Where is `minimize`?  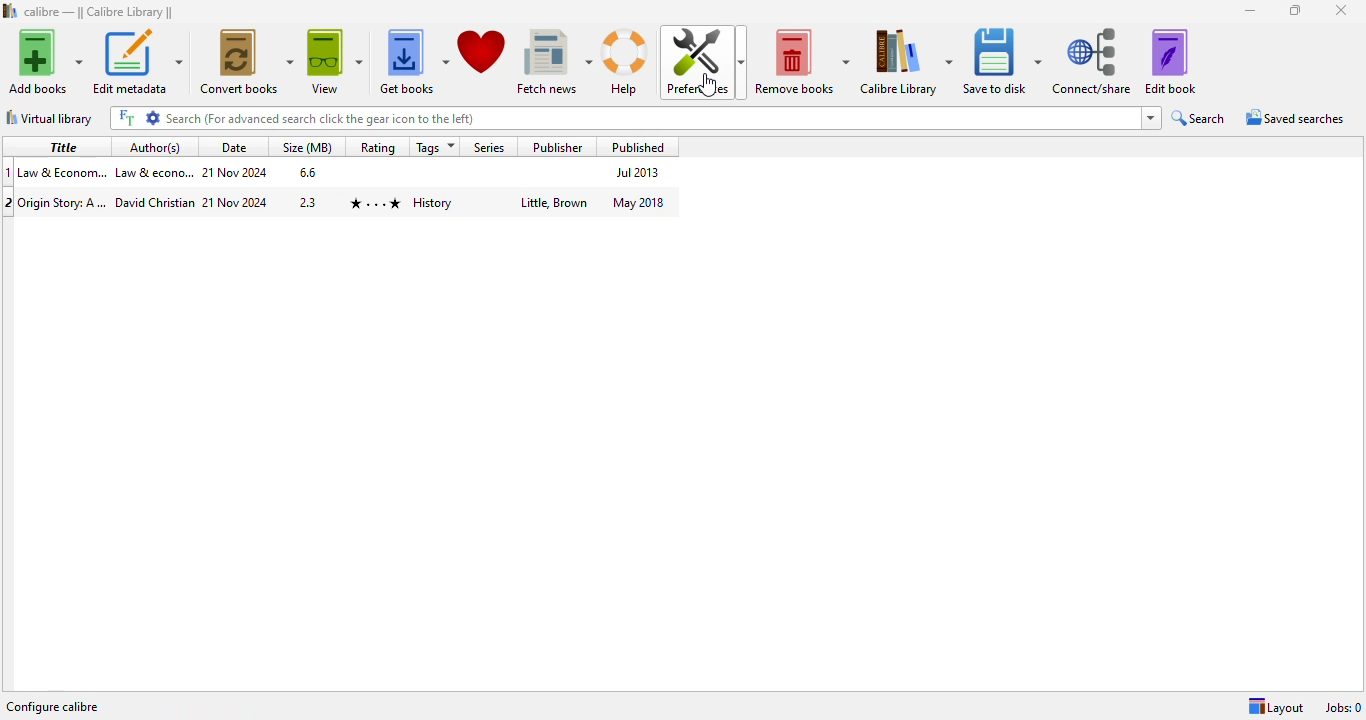
minimize is located at coordinates (1248, 11).